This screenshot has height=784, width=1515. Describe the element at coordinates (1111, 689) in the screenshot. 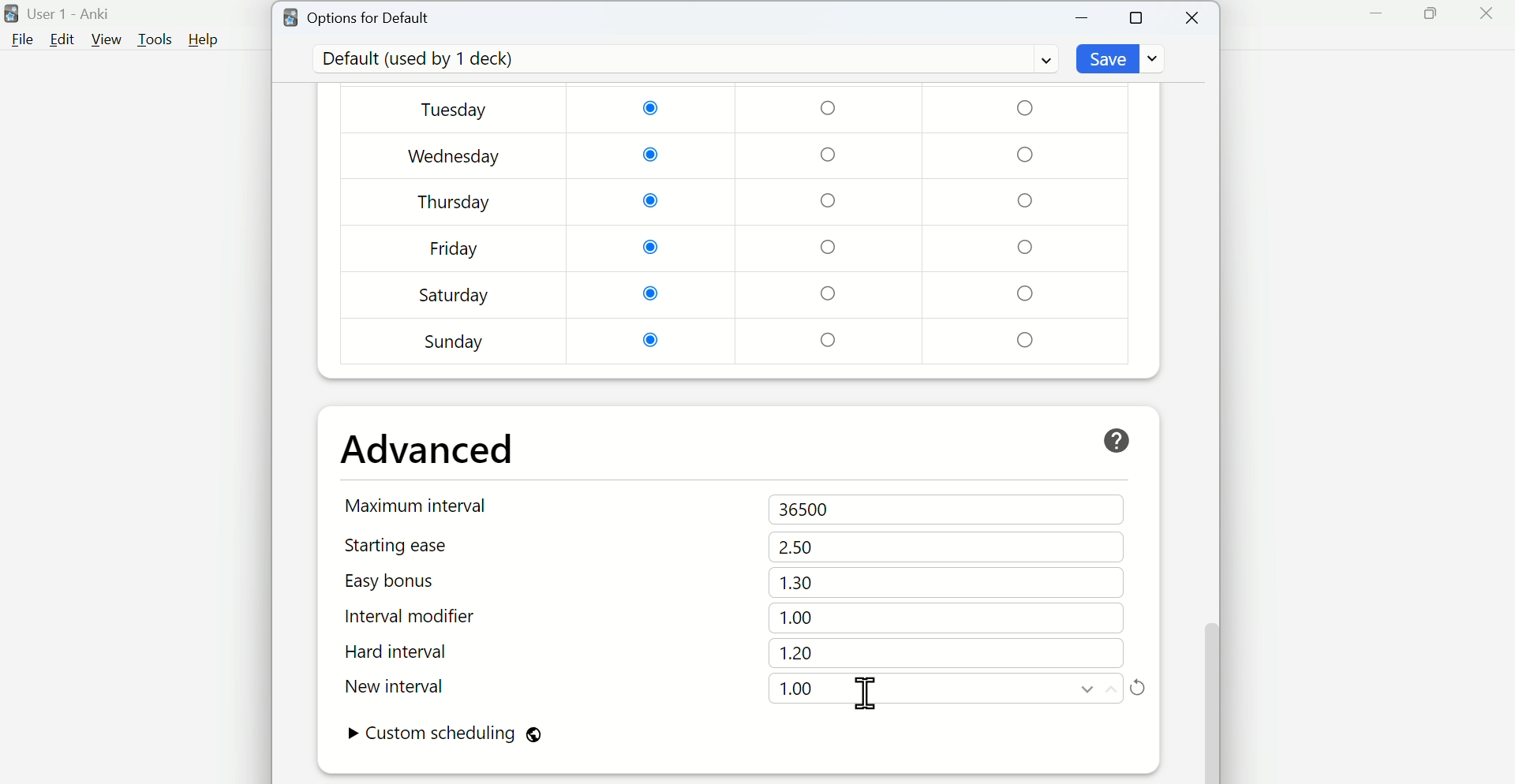

I see `Move up` at that location.